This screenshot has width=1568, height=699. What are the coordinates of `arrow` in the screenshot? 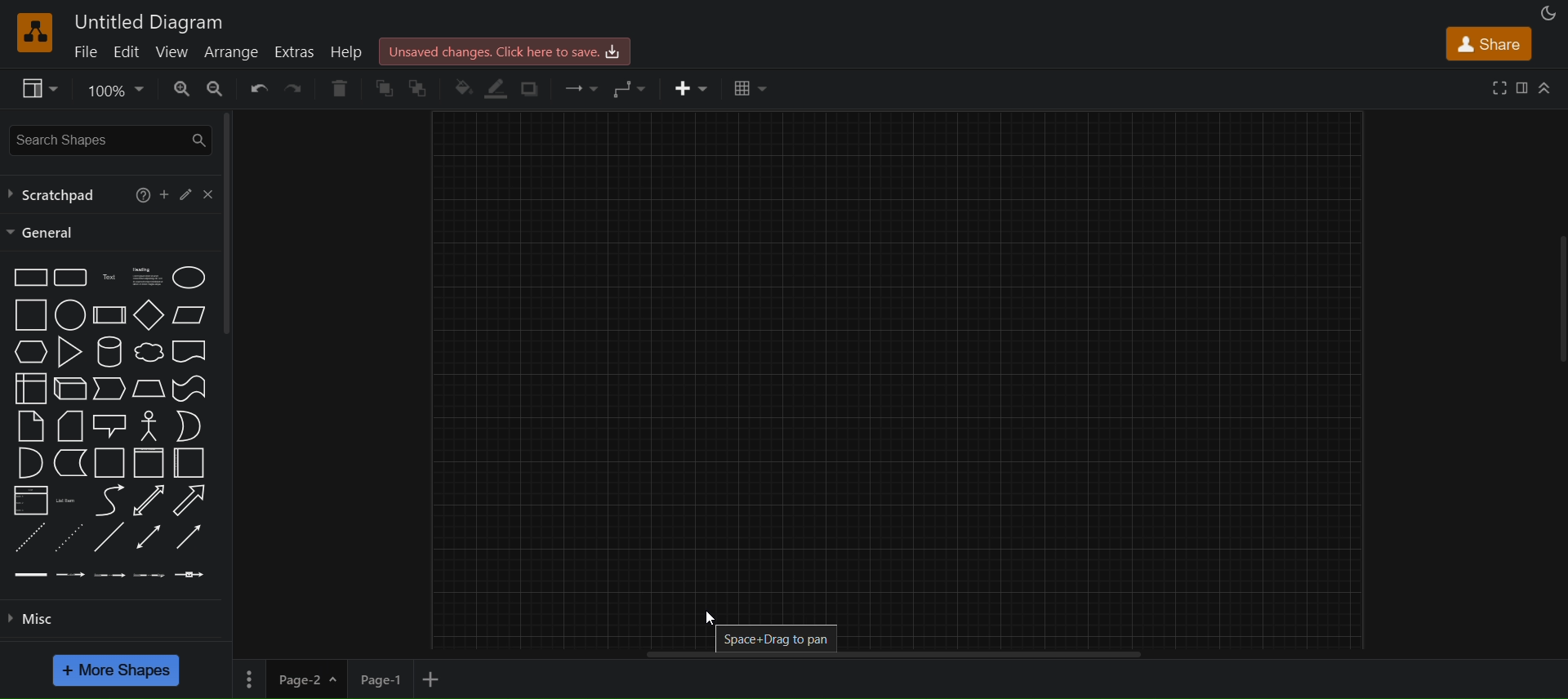 It's located at (189, 499).